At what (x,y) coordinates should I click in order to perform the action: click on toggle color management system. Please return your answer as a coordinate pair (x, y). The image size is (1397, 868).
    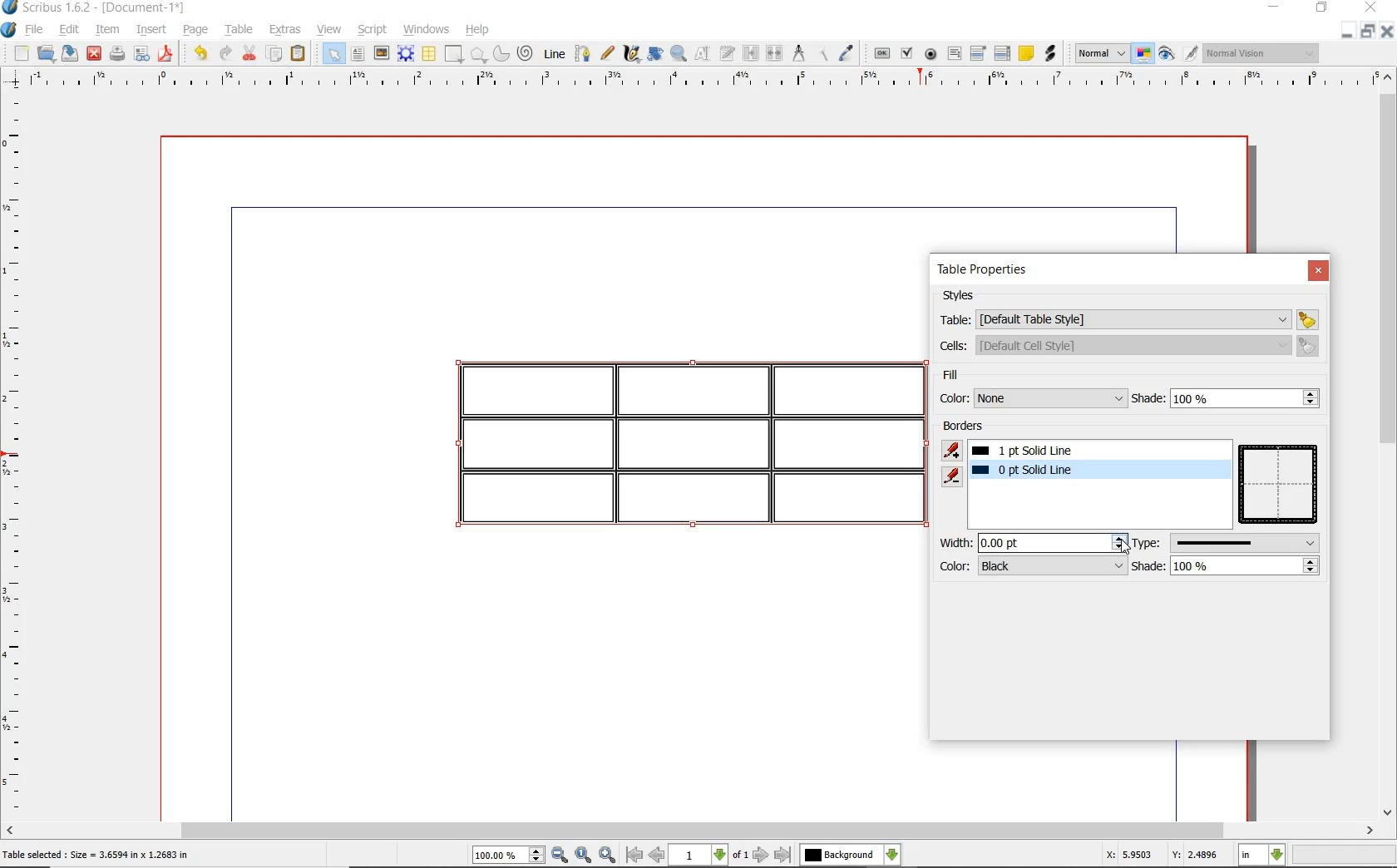
    Looking at the image, I should click on (1140, 52).